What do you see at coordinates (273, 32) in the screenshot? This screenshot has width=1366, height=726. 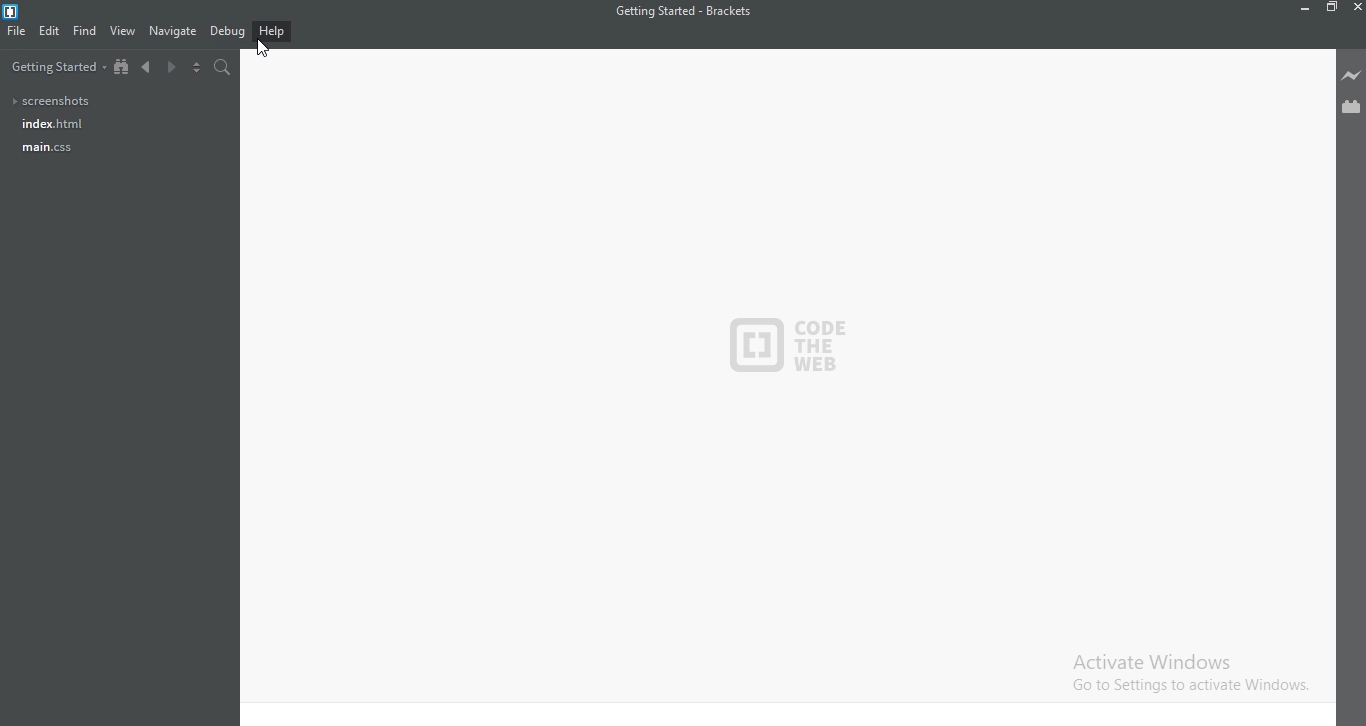 I see `Help` at bounding box center [273, 32].